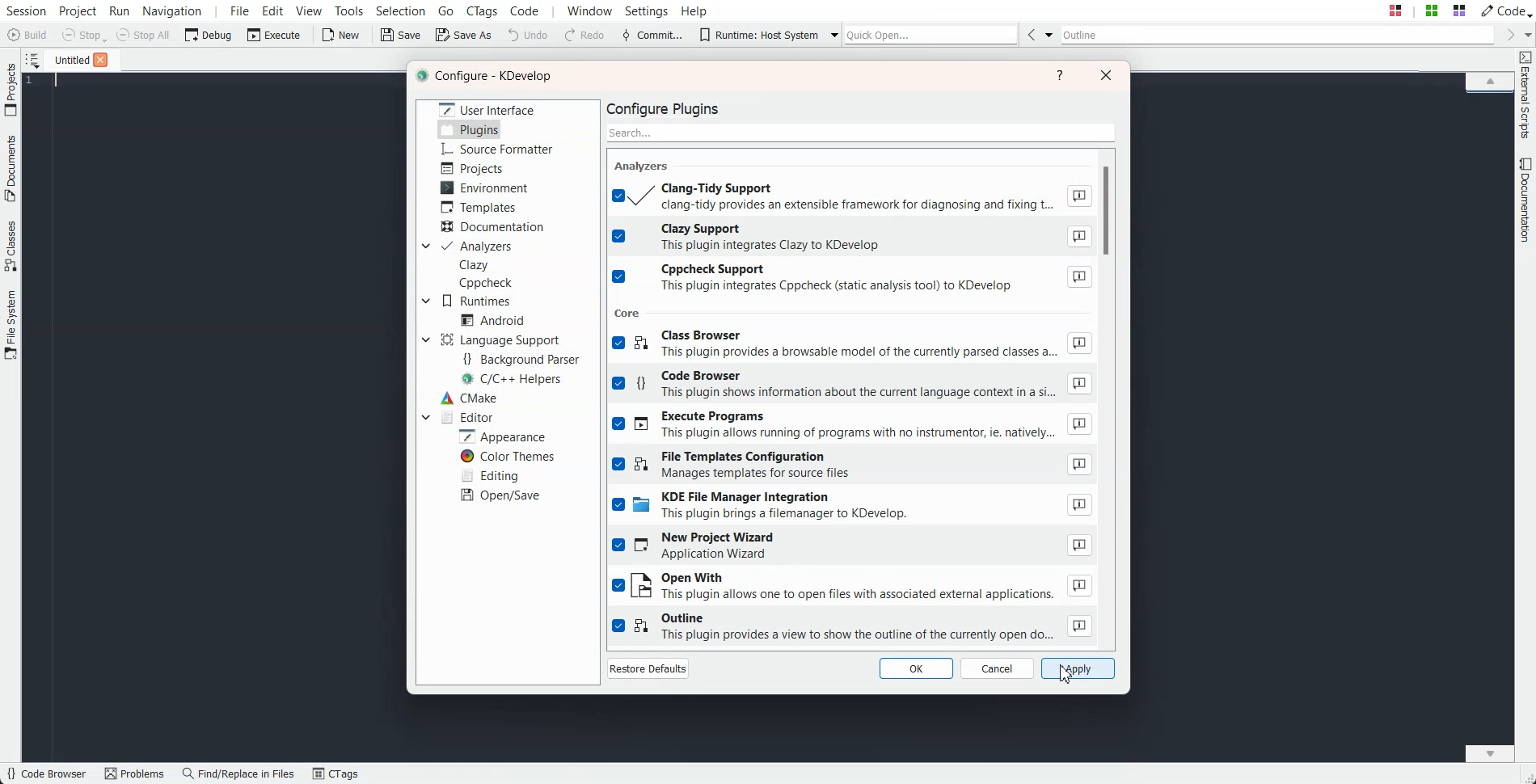  Describe the element at coordinates (501, 436) in the screenshot. I see `Appearance` at that location.